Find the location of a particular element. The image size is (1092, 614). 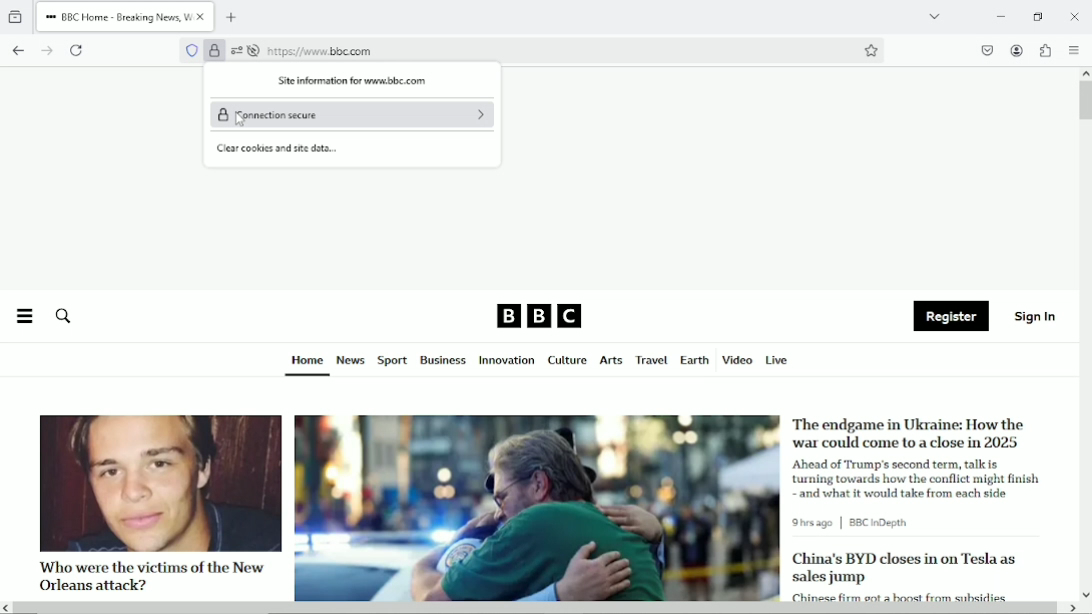

News is located at coordinates (351, 361).